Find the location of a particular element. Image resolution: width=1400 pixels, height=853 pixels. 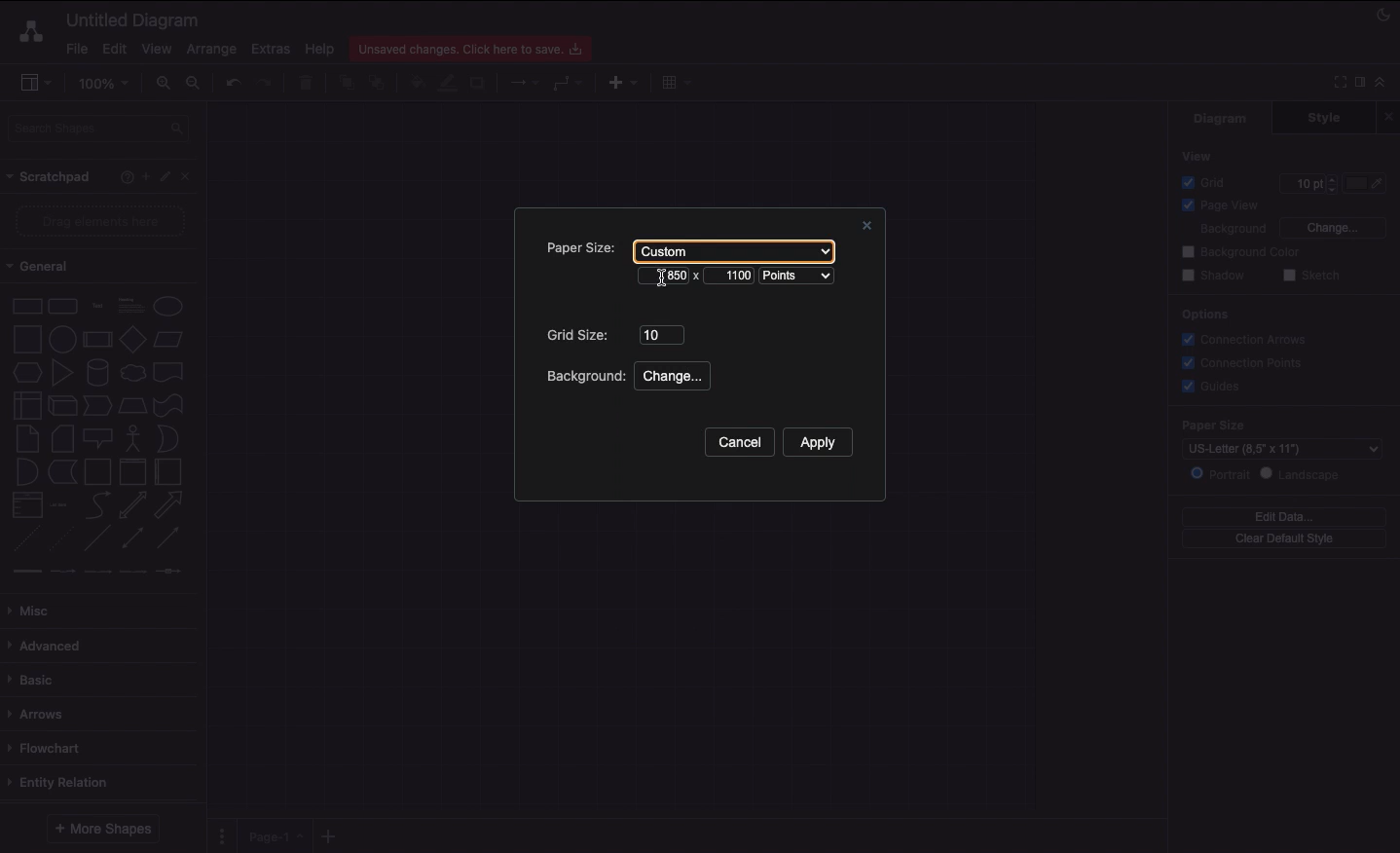

Help is located at coordinates (319, 48).